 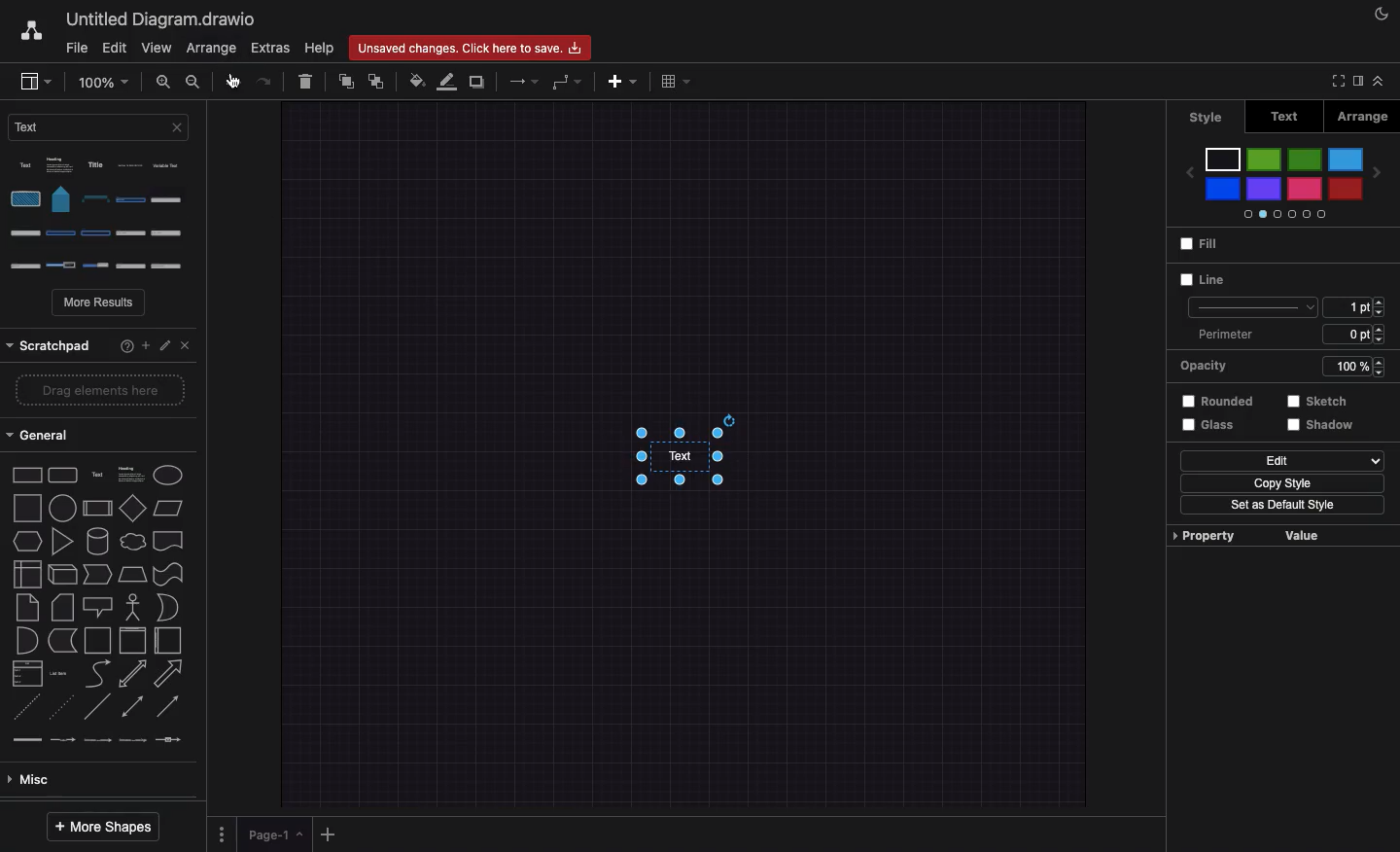 I want to click on Ad, so click(x=624, y=81).